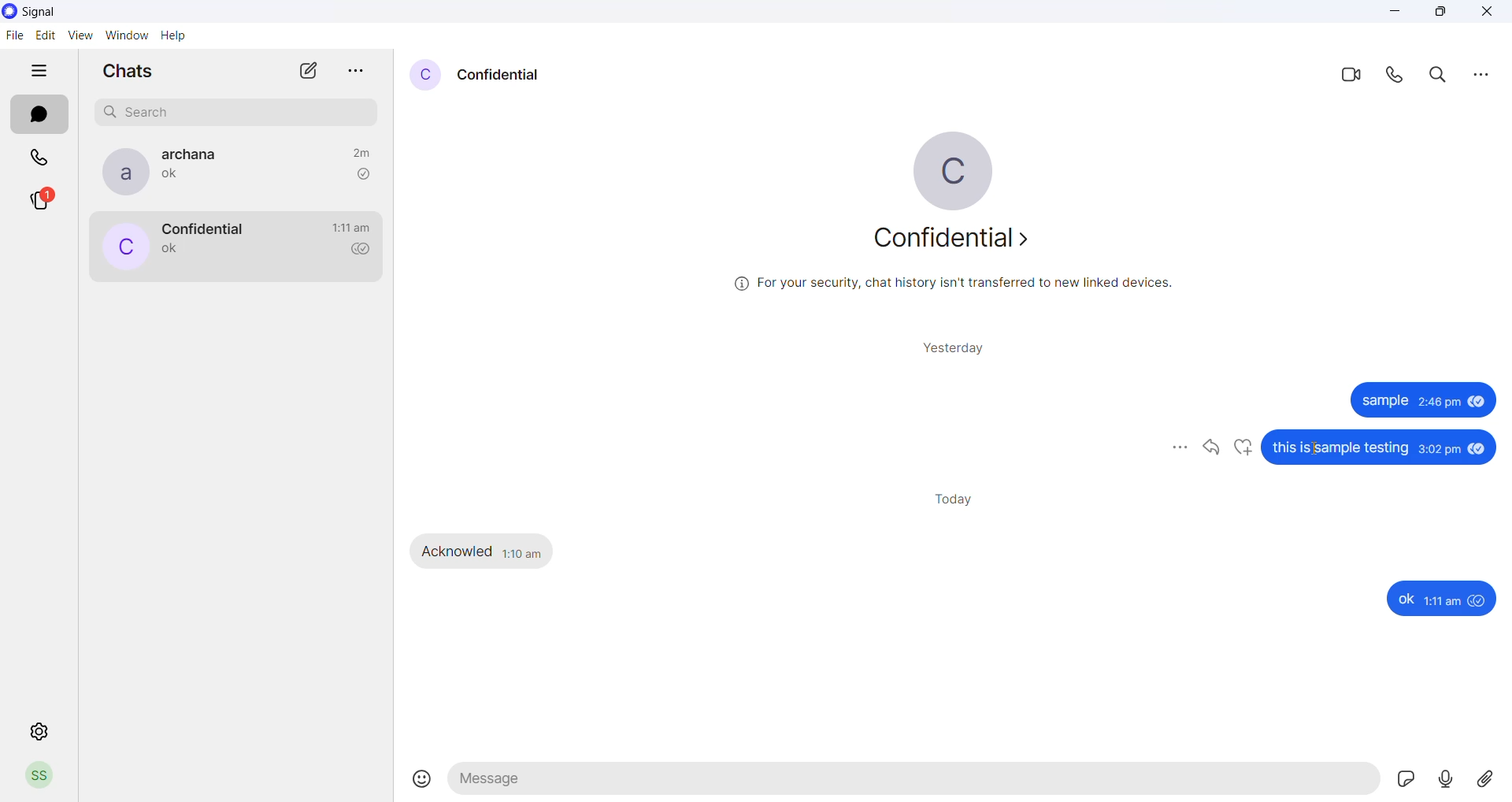 The image size is (1512, 802). I want to click on last message, so click(171, 251).